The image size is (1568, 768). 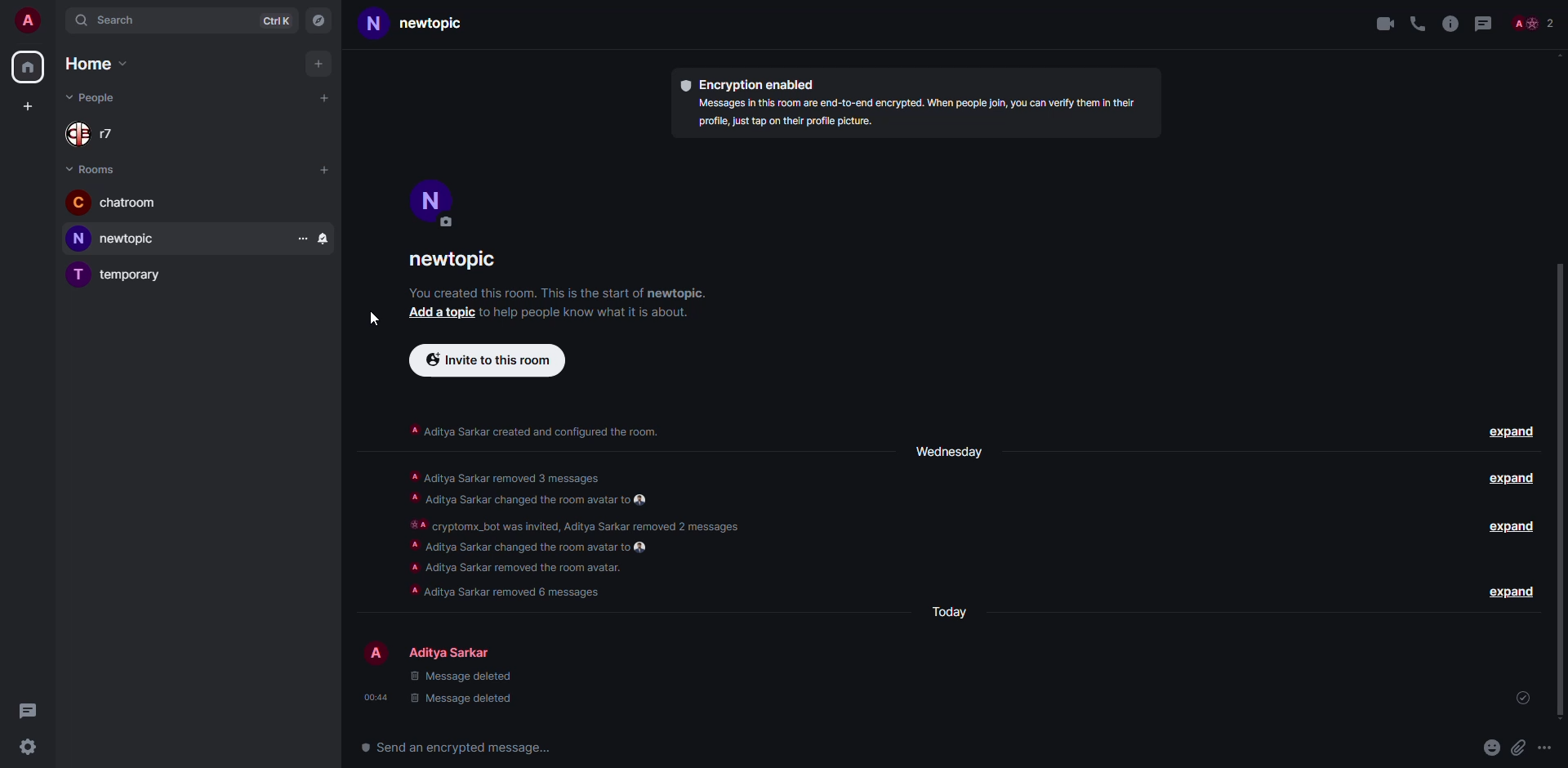 What do you see at coordinates (1491, 746) in the screenshot?
I see `emoji` at bounding box center [1491, 746].